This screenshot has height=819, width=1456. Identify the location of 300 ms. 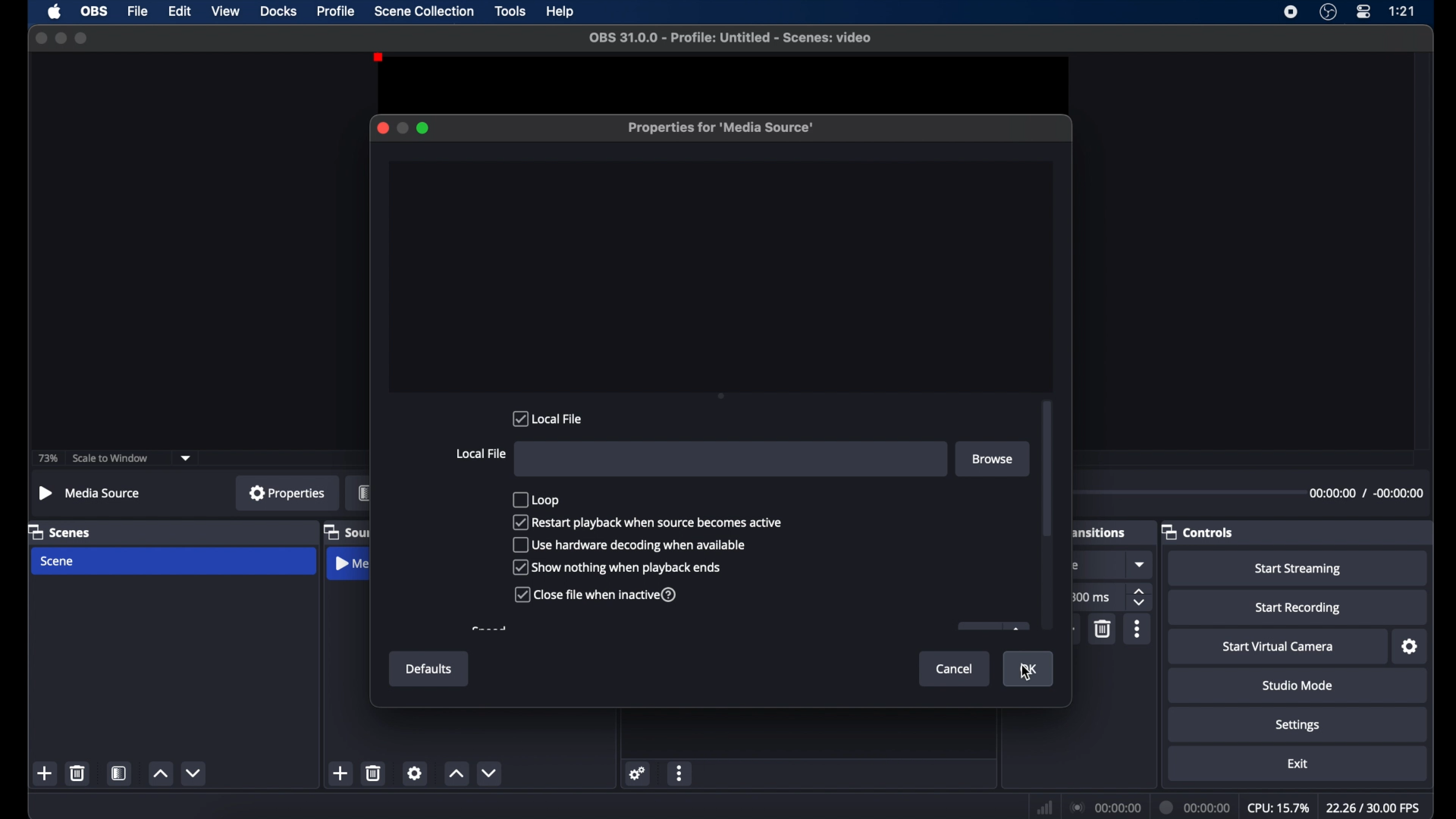
(1090, 597).